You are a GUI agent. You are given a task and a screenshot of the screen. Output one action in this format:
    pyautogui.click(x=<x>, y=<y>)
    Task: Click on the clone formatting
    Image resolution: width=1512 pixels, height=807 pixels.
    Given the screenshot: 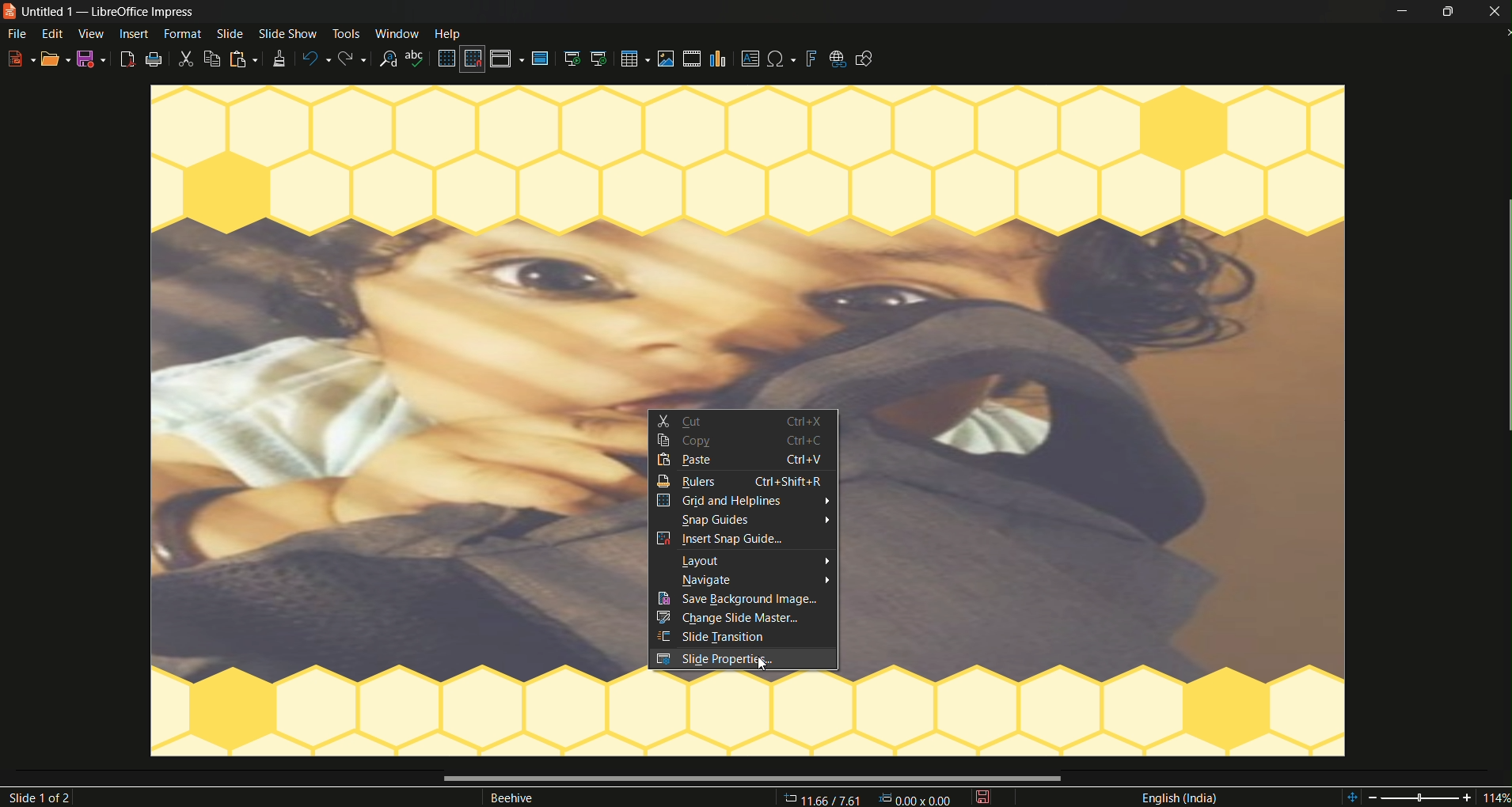 What is the action you would take?
    pyautogui.click(x=277, y=59)
    